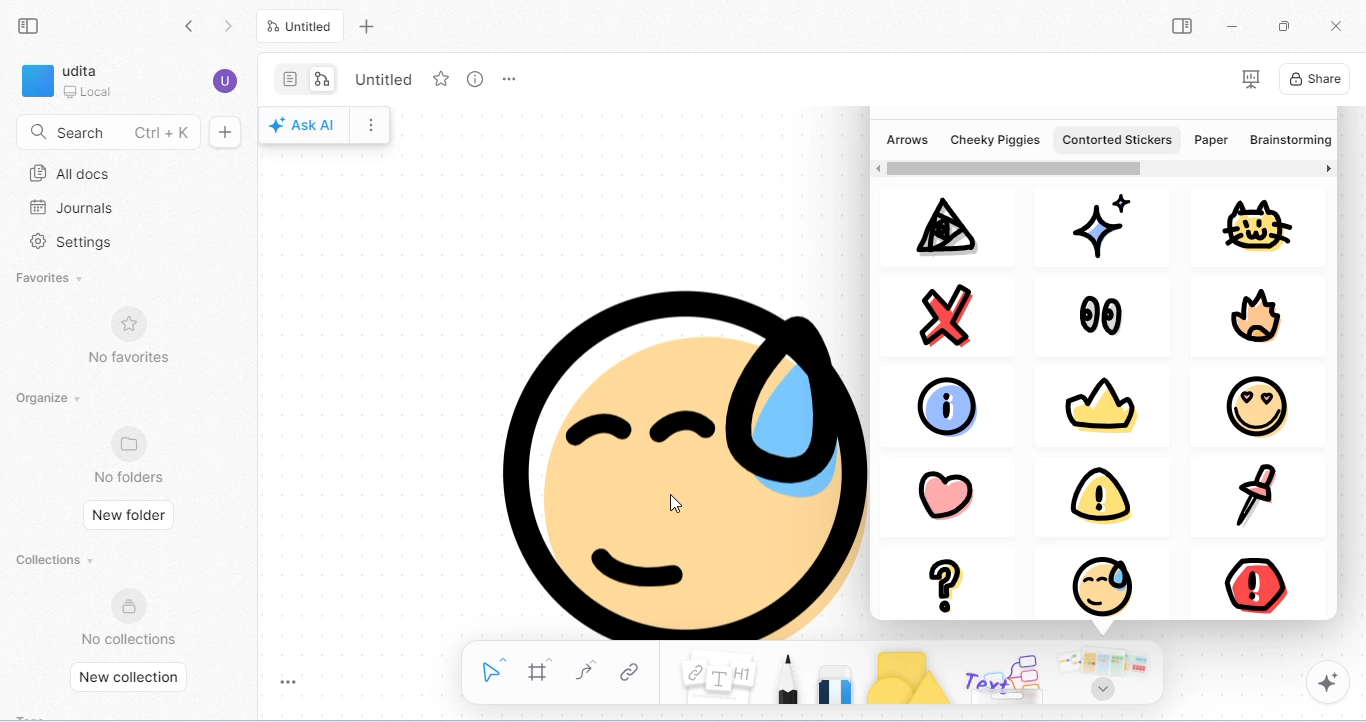 The height and width of the screenshot is (722, 1366). What do you see at coordinates (494, 668) in the screenshot?
I see `select` at bounding box center [494, 668].